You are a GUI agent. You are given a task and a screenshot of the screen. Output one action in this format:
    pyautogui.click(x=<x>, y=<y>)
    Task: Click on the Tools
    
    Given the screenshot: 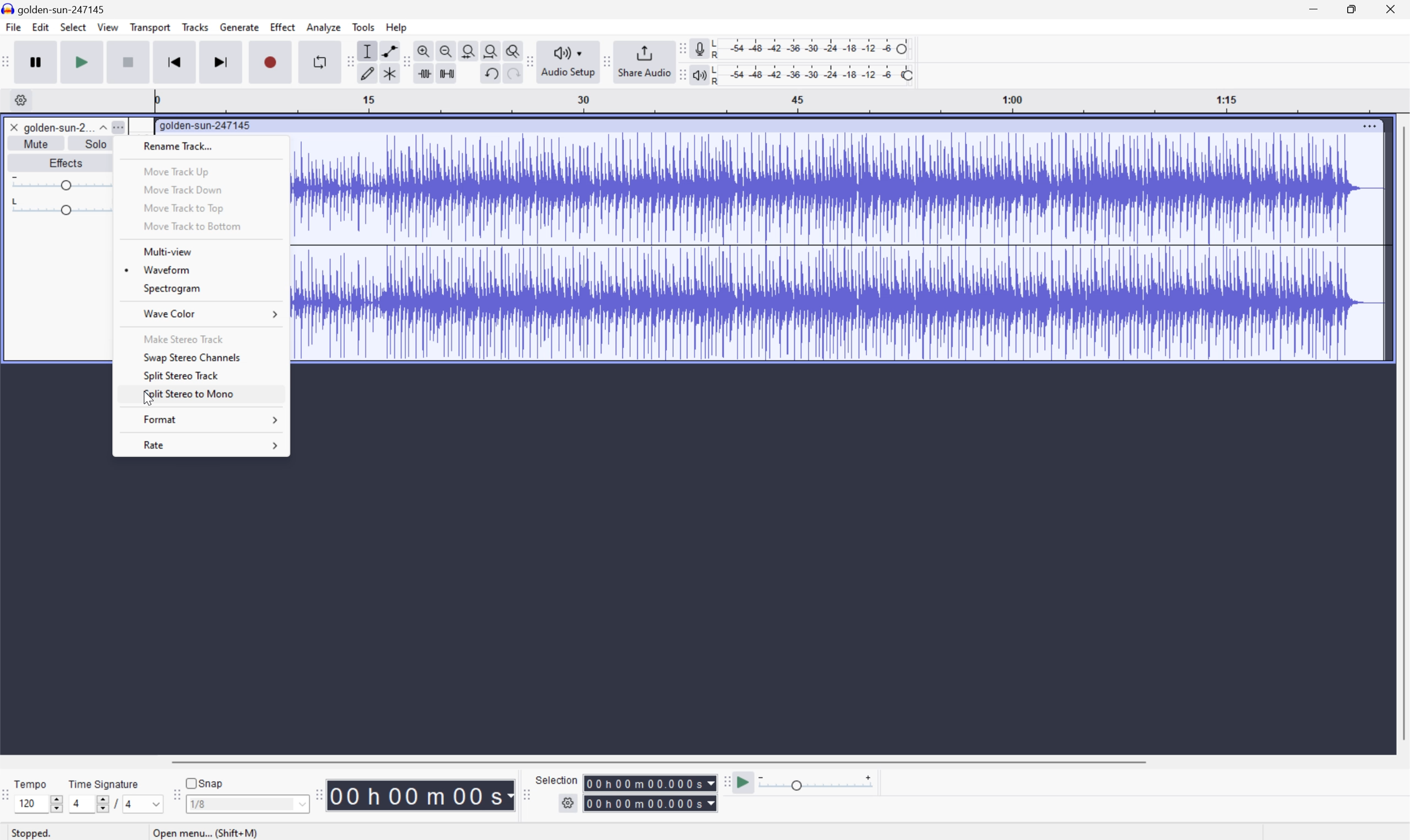 What is the action you would take?
    pyautogui.click(x=364, y=27)
    